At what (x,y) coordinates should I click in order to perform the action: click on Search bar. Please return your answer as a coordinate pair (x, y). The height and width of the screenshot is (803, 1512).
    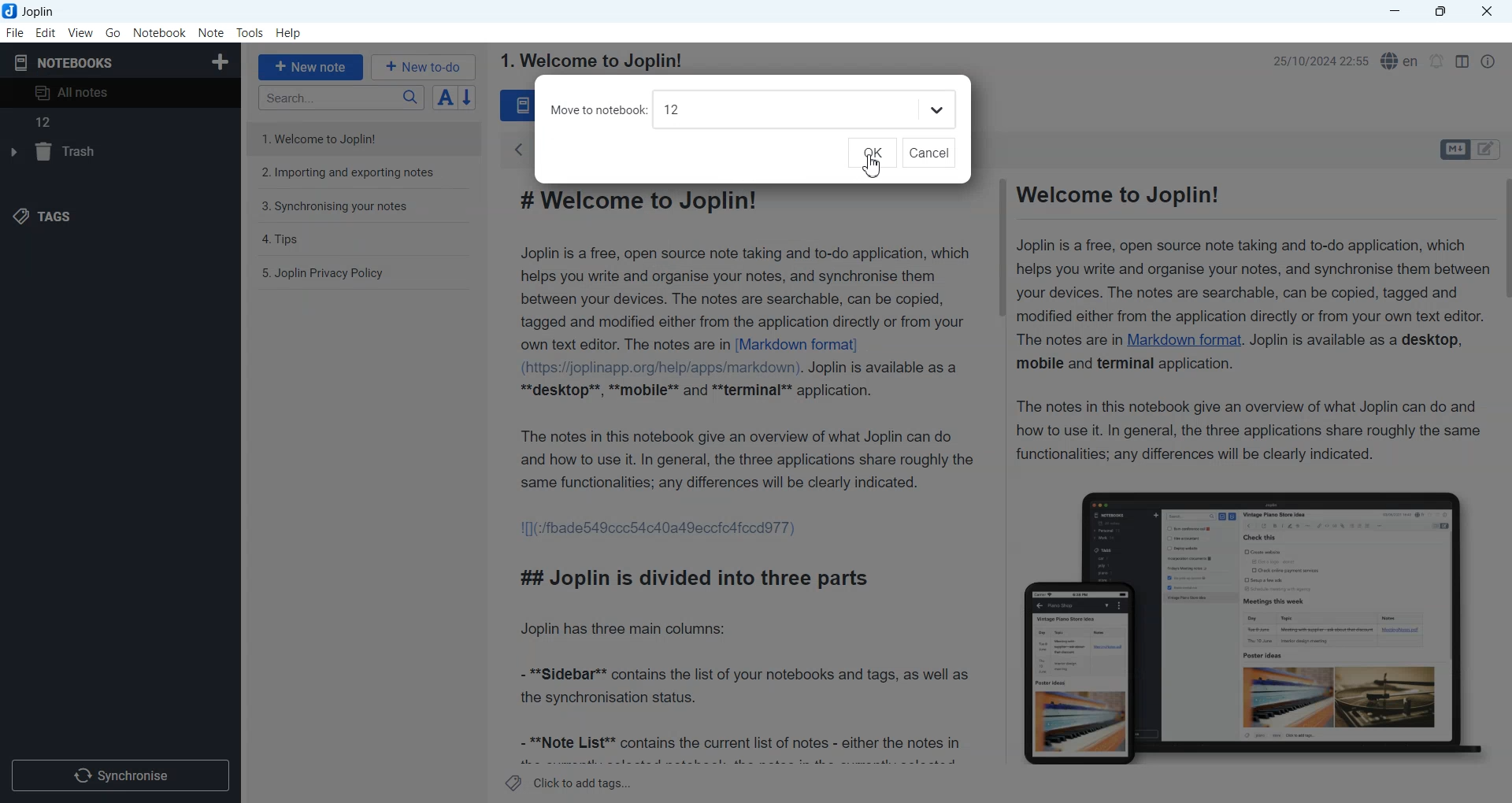
    Looking at the image, I should click on (341, 98).